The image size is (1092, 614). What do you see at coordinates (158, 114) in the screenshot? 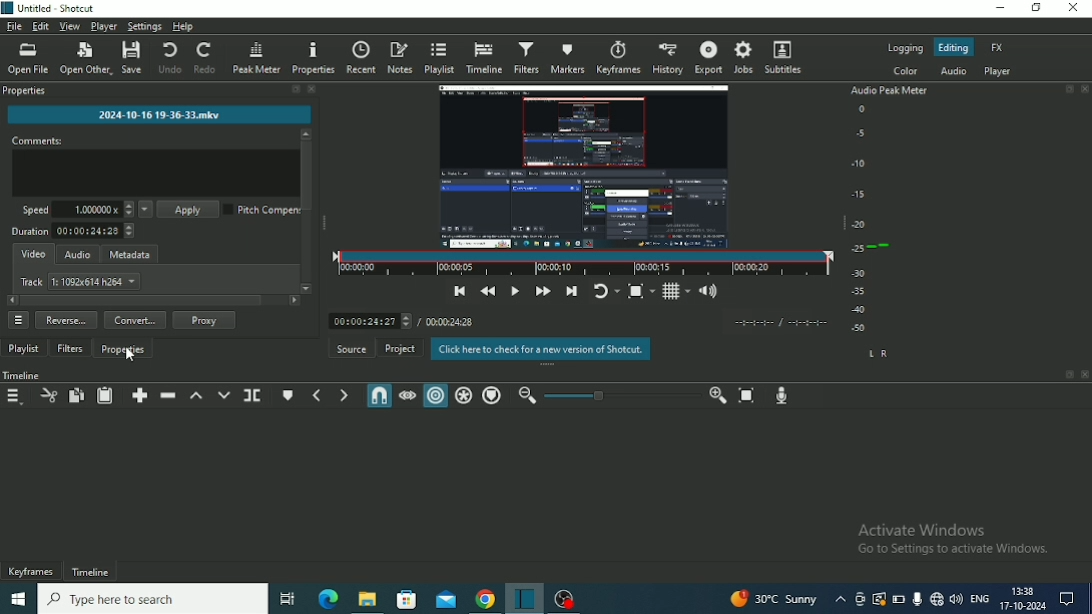
I see `Video name` at bounding box center [158, 114].